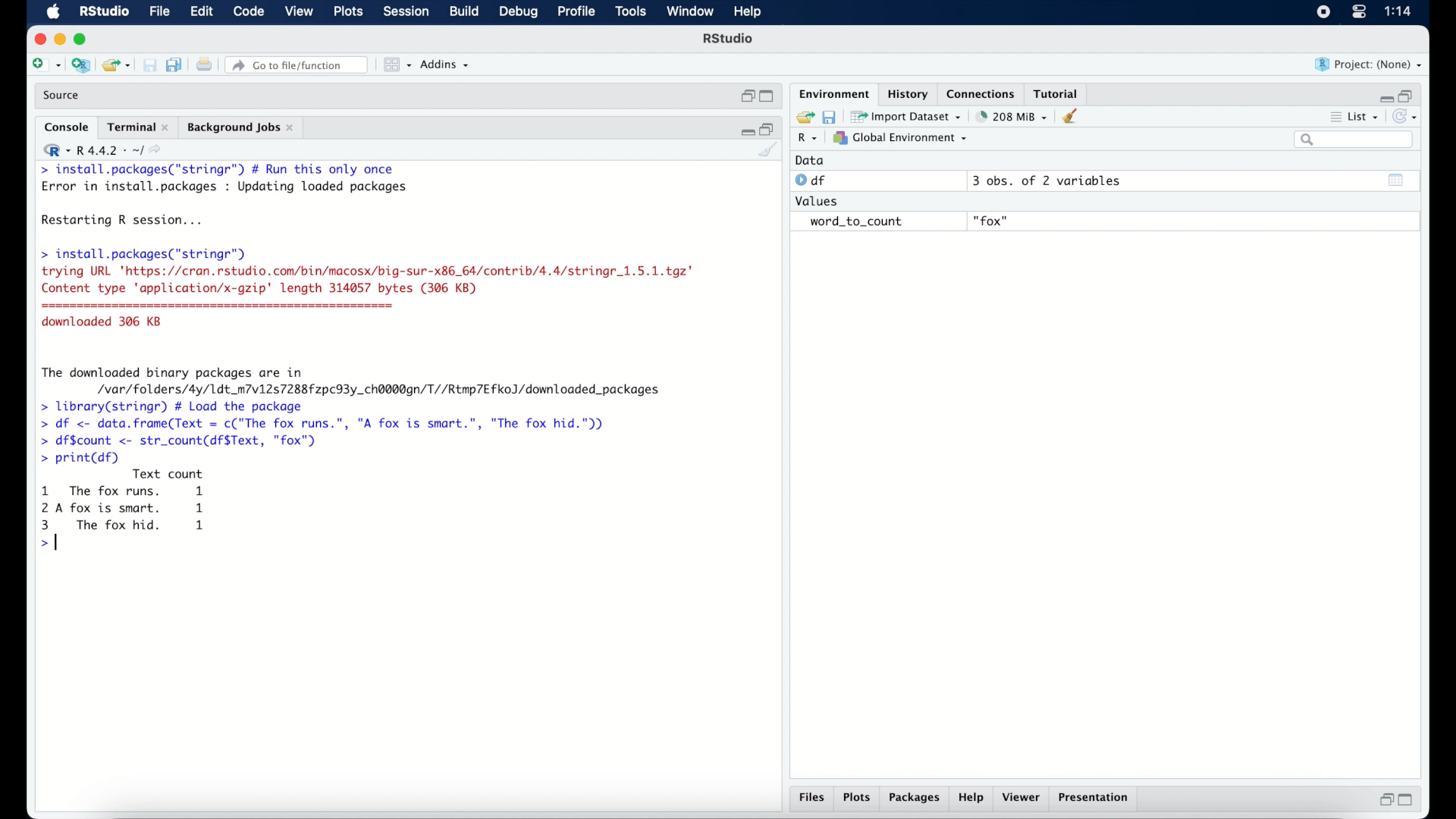 The image size is (1456, 819). I want to click on R, so click(808, 139).